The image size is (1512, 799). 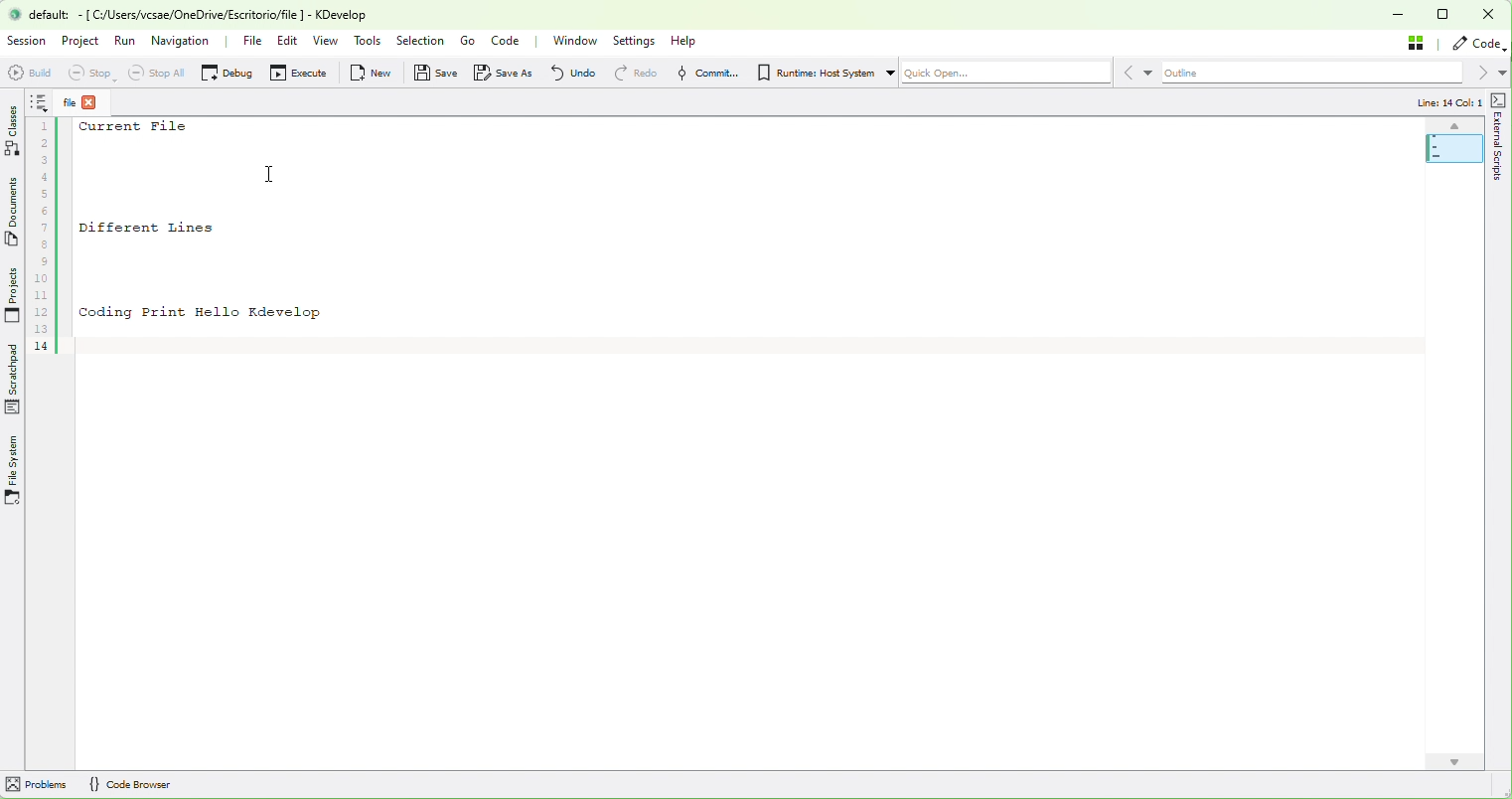 What do you see at coordinates (25, 72) in the screenshot?
I see `Build` at bounding box center [25, 72].